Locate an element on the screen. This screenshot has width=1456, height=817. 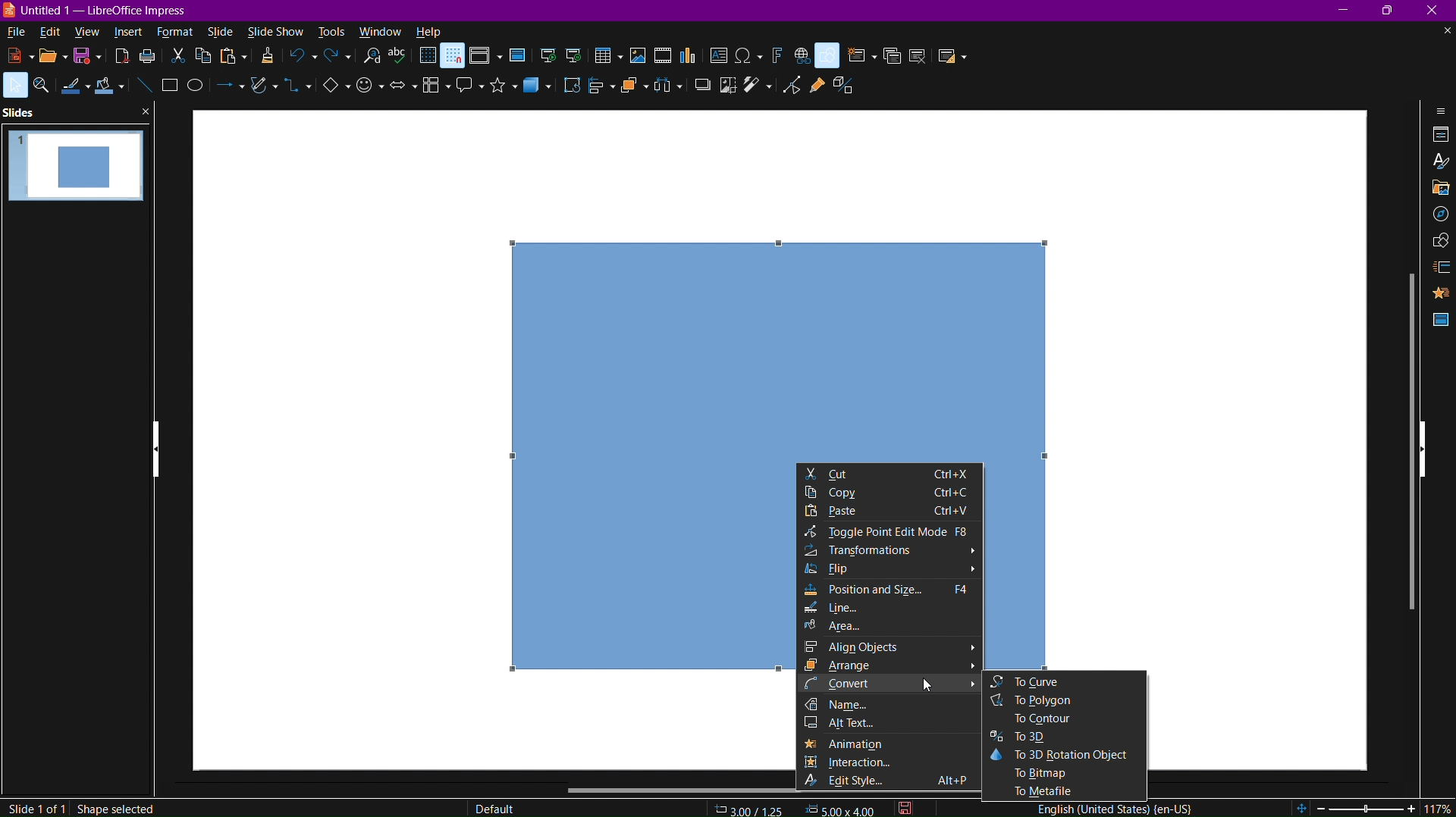
Styles is located at coordinates (1438, 162).